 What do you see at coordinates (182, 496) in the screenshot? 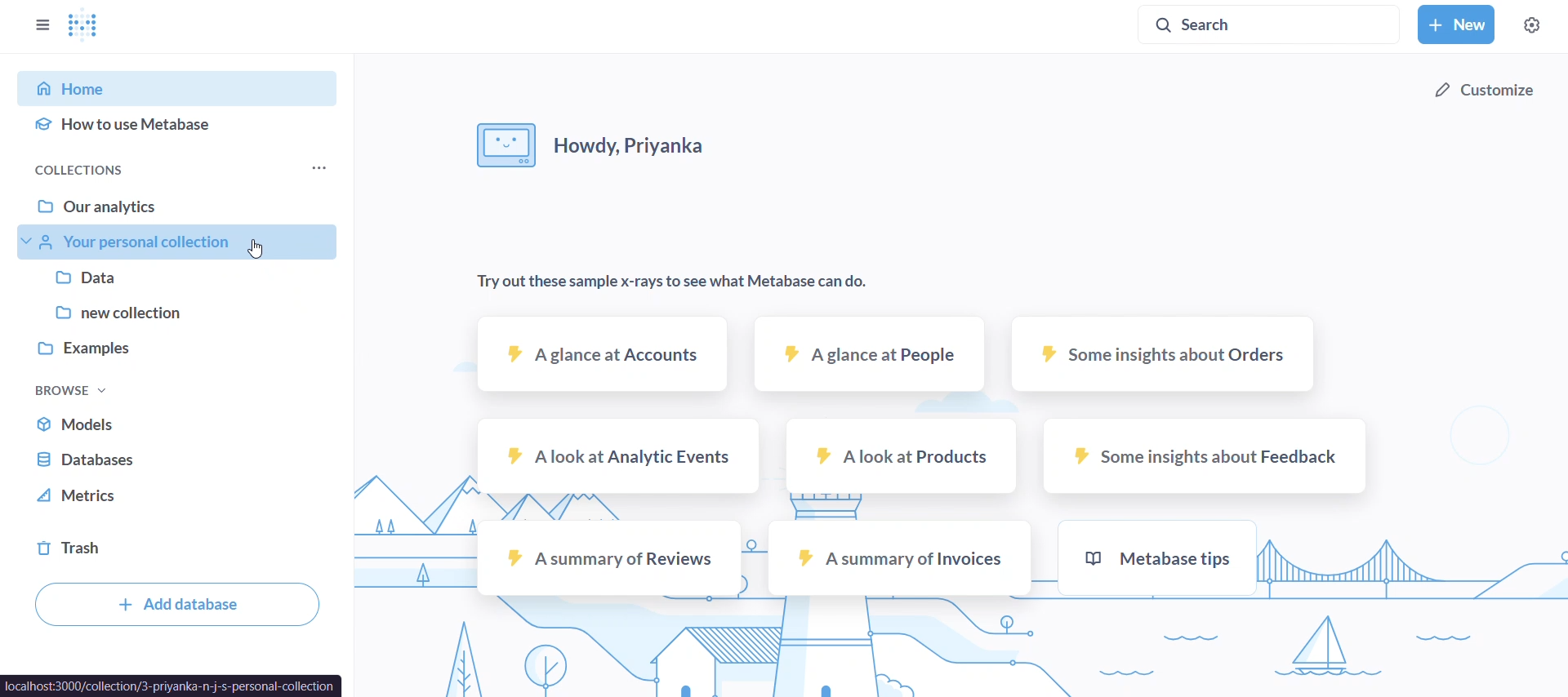
I see `metrics` at bounding box center [182, 496].